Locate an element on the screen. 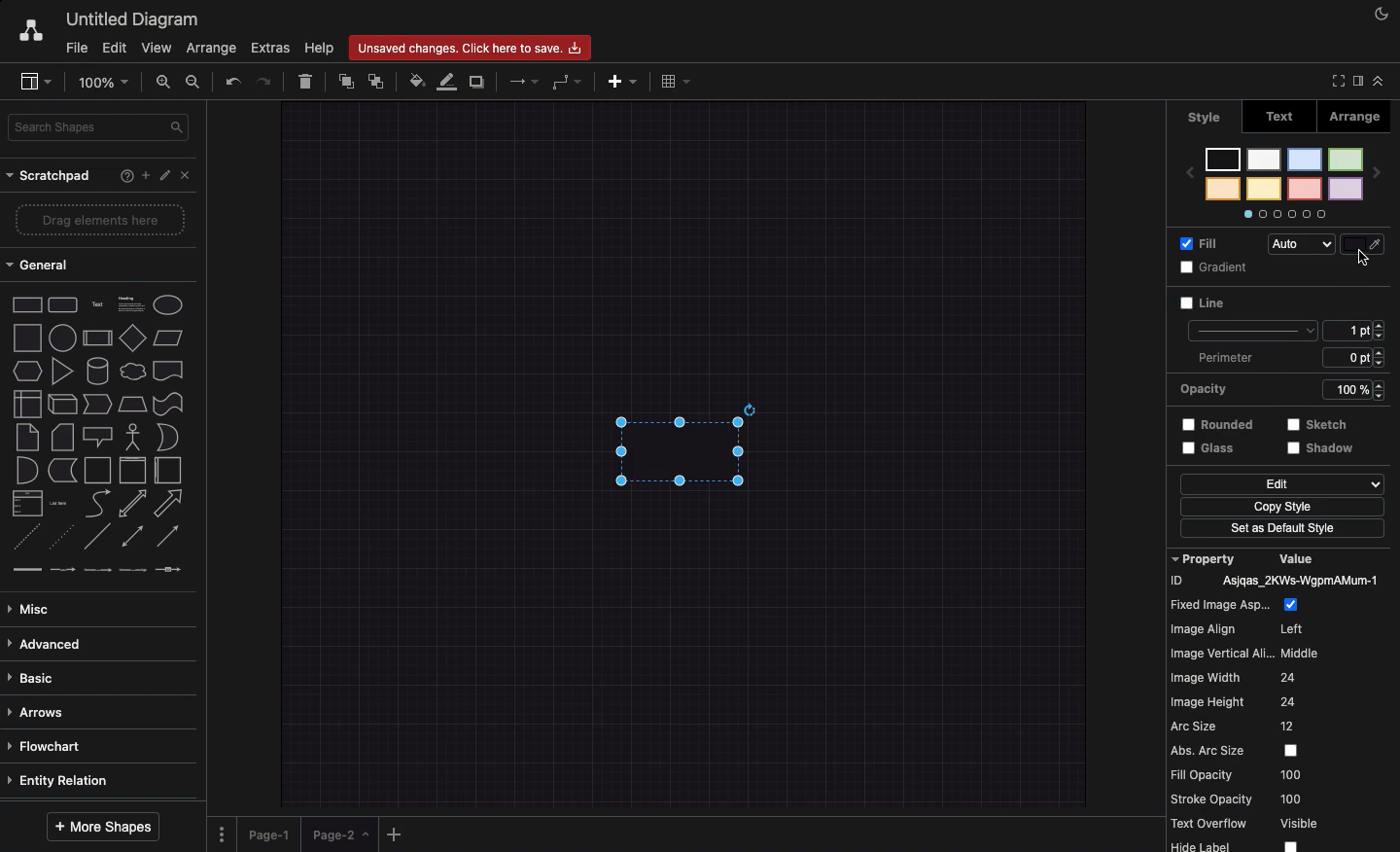  Glass is located at coordinates (1213, 449).